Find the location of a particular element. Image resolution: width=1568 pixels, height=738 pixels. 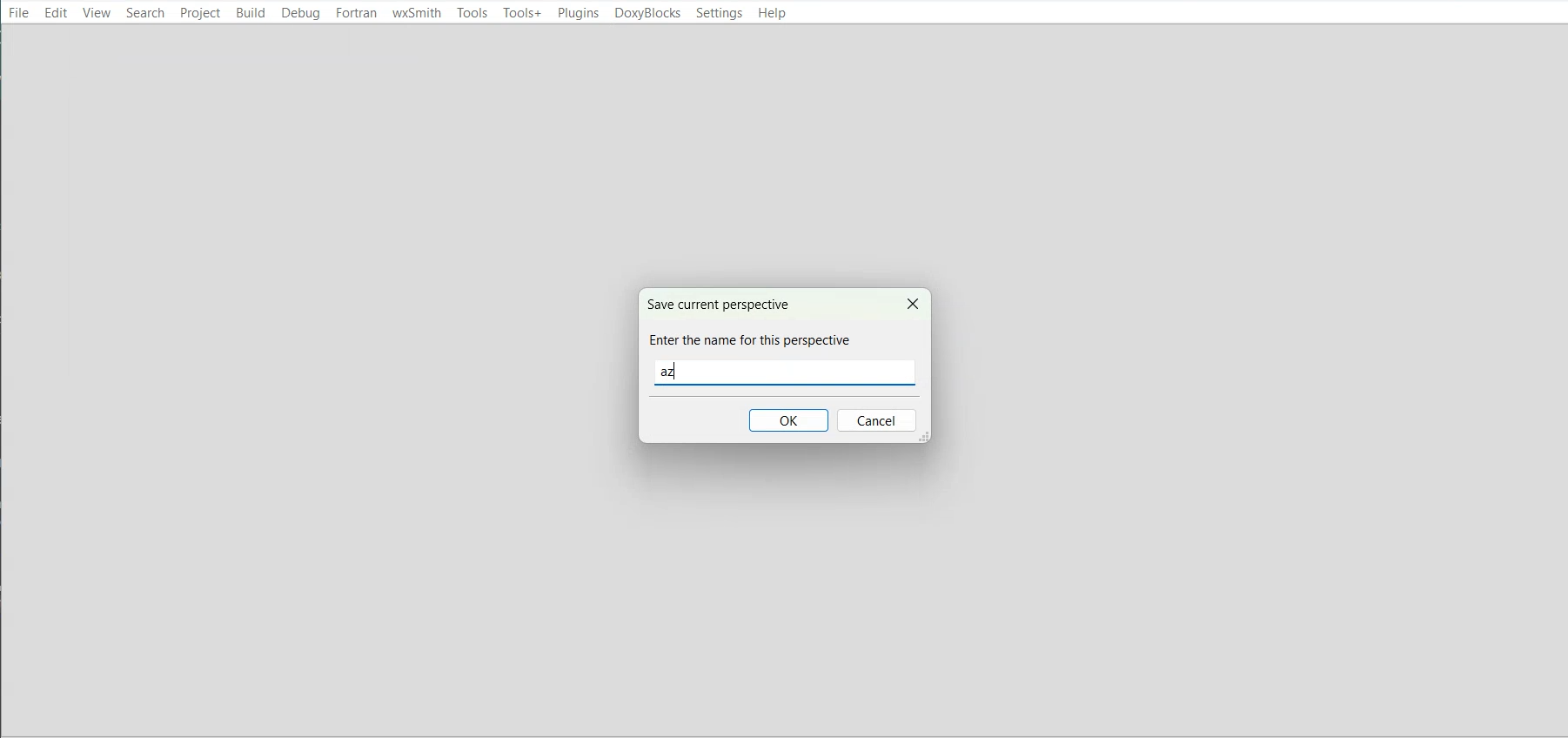

Cancel is located at coordinates (878, 421).